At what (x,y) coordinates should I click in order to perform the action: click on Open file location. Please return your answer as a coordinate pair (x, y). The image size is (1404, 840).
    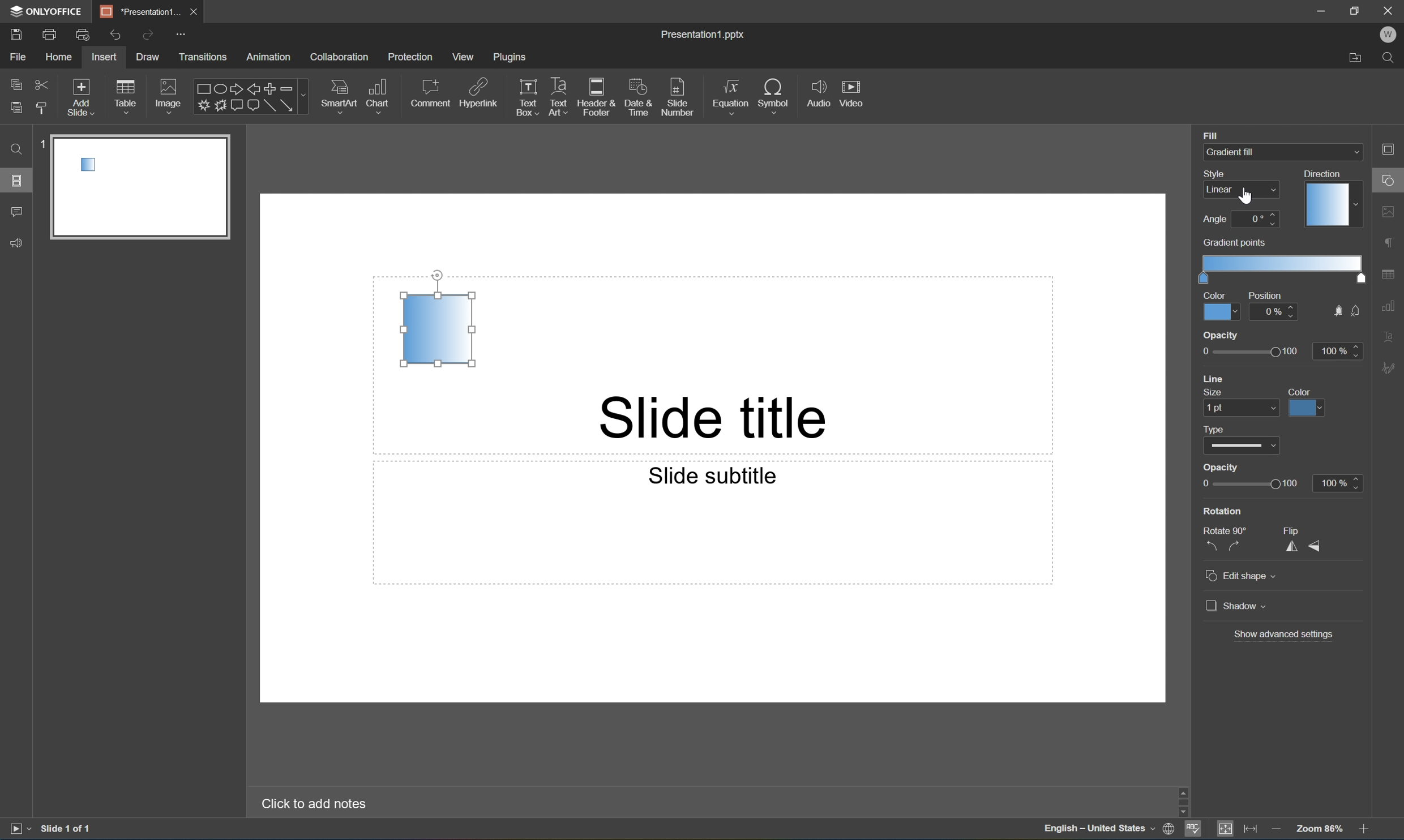
    Looking at the image, I should click on (1356, 60).